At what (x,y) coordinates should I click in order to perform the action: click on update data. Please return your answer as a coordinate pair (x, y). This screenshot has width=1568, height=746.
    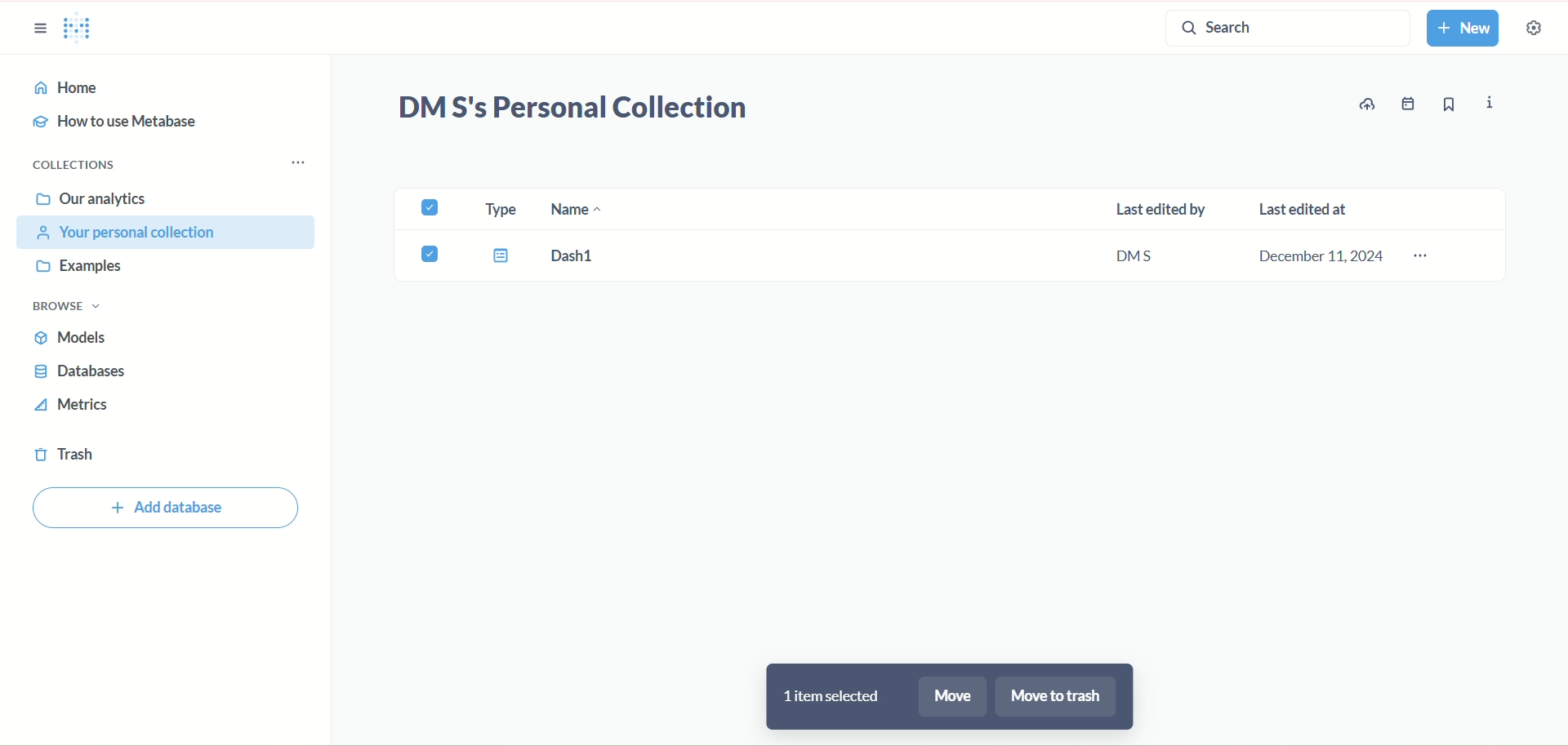
    Looking at the image, I should click on (1371, 104).